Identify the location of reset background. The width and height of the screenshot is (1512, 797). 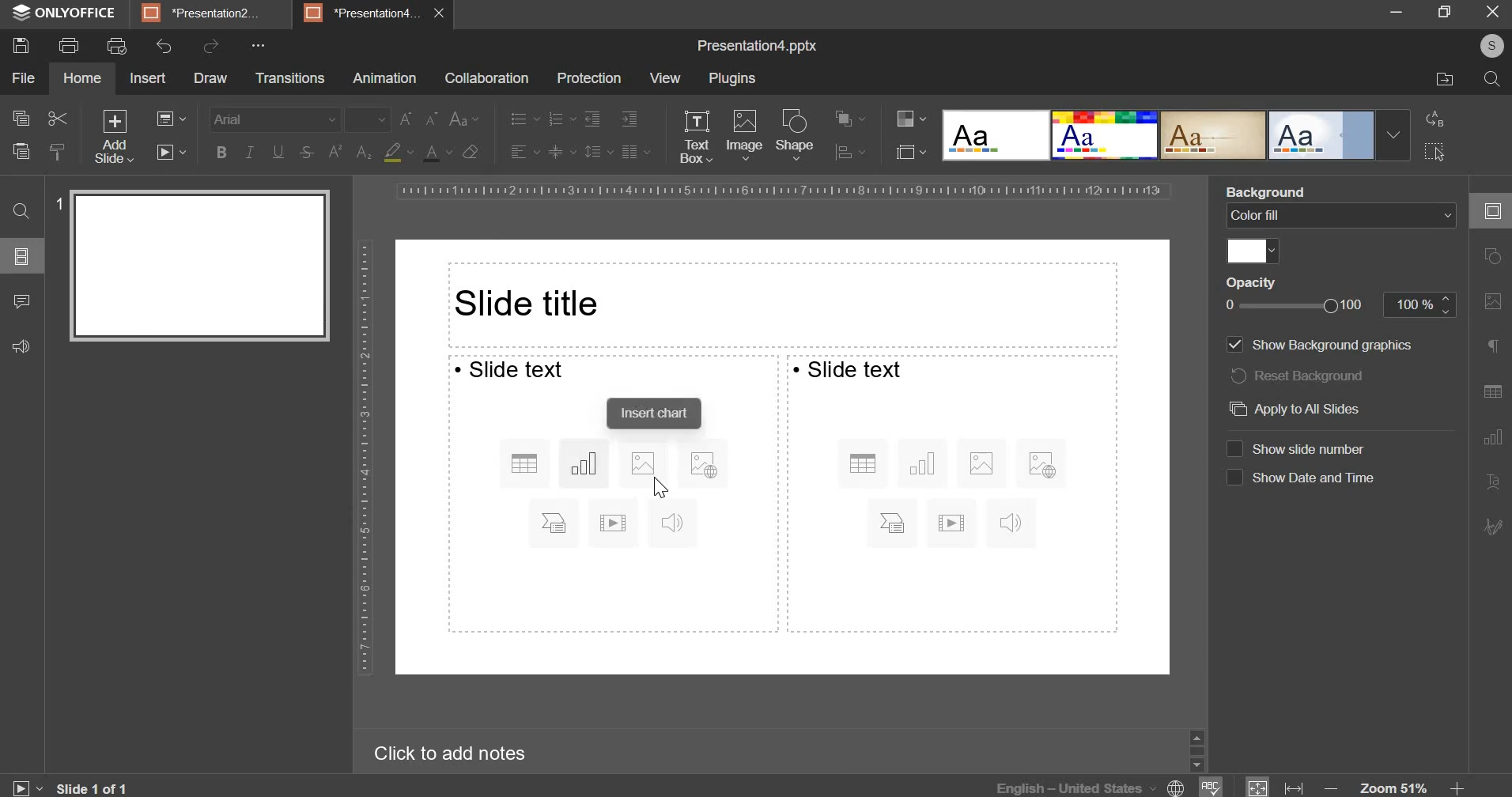
(1302, 376).